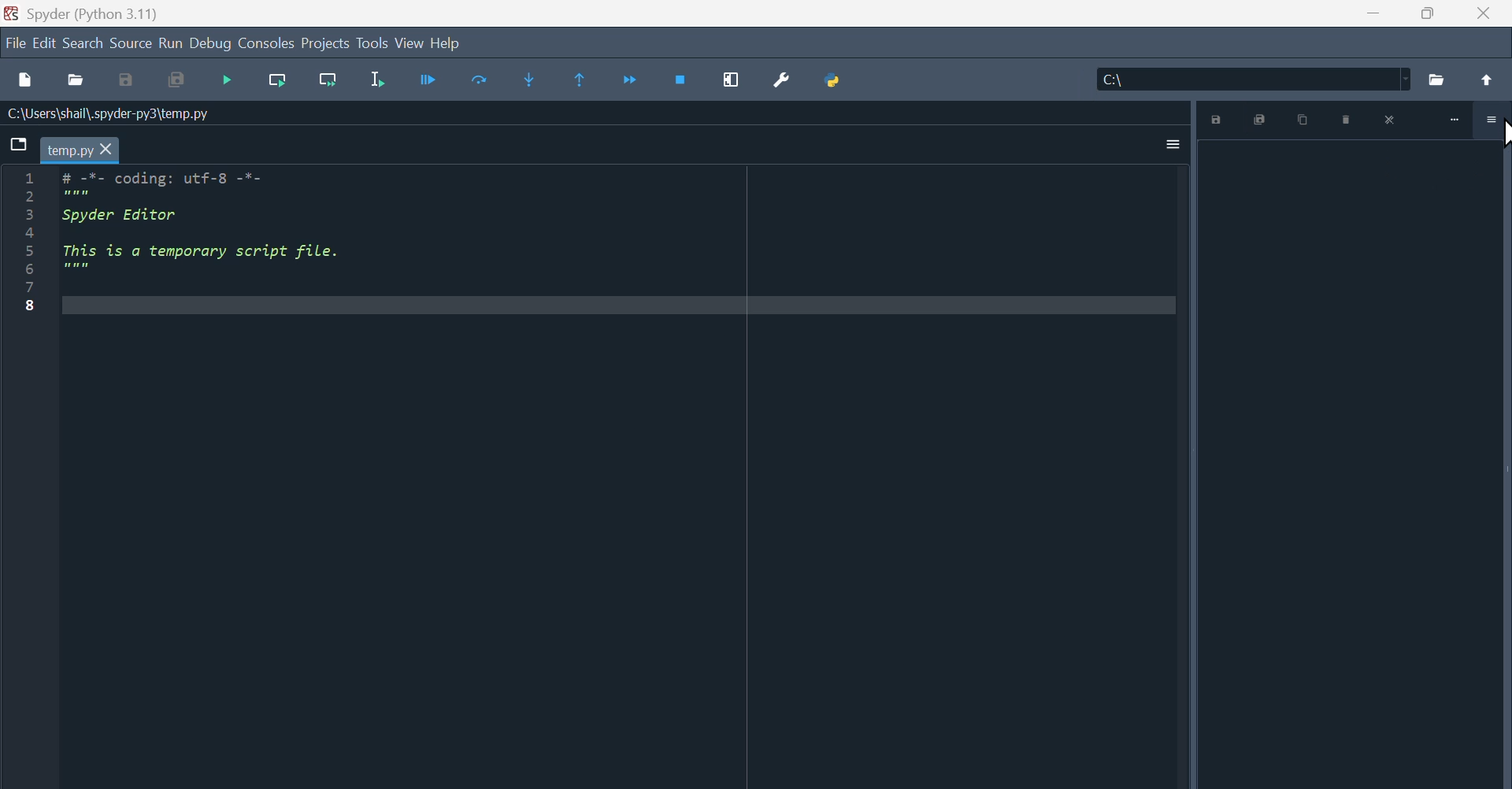 The image size is (1512, 789). Describe the element at coordinates (1456, 121) in the screenshot. I see `minimize` at that location.